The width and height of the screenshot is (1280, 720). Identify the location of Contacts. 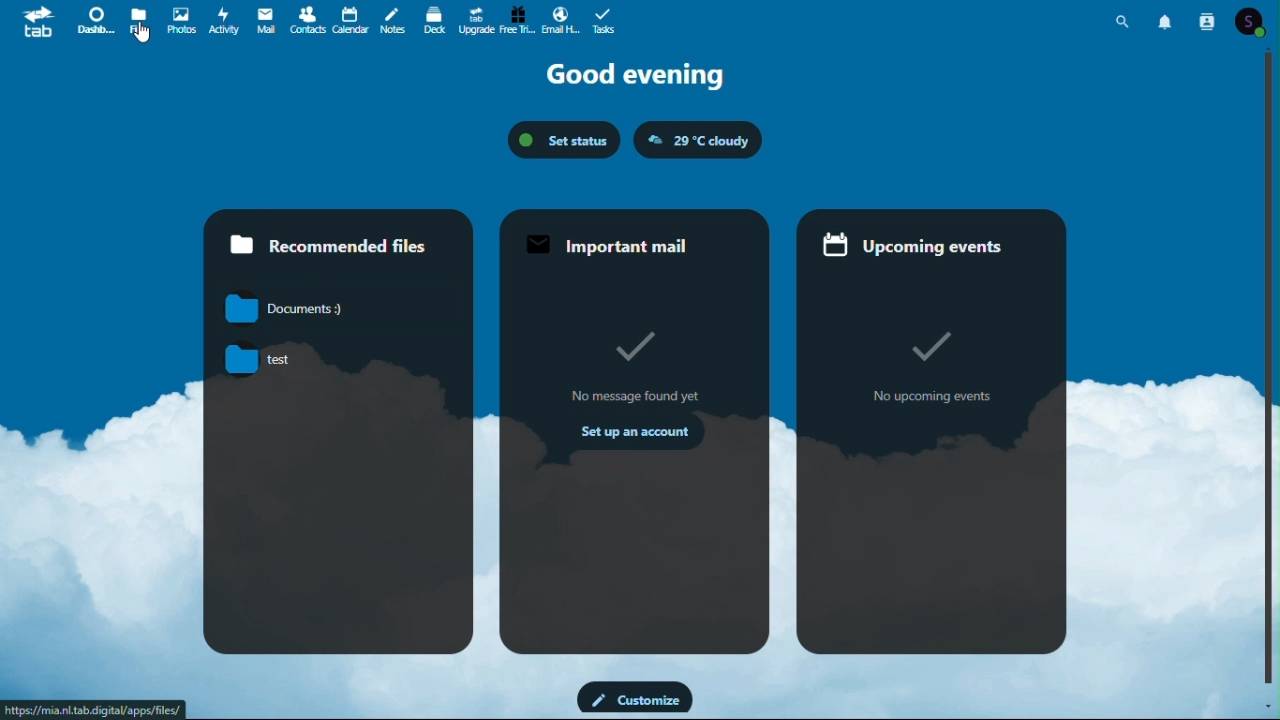
(1208, 18).